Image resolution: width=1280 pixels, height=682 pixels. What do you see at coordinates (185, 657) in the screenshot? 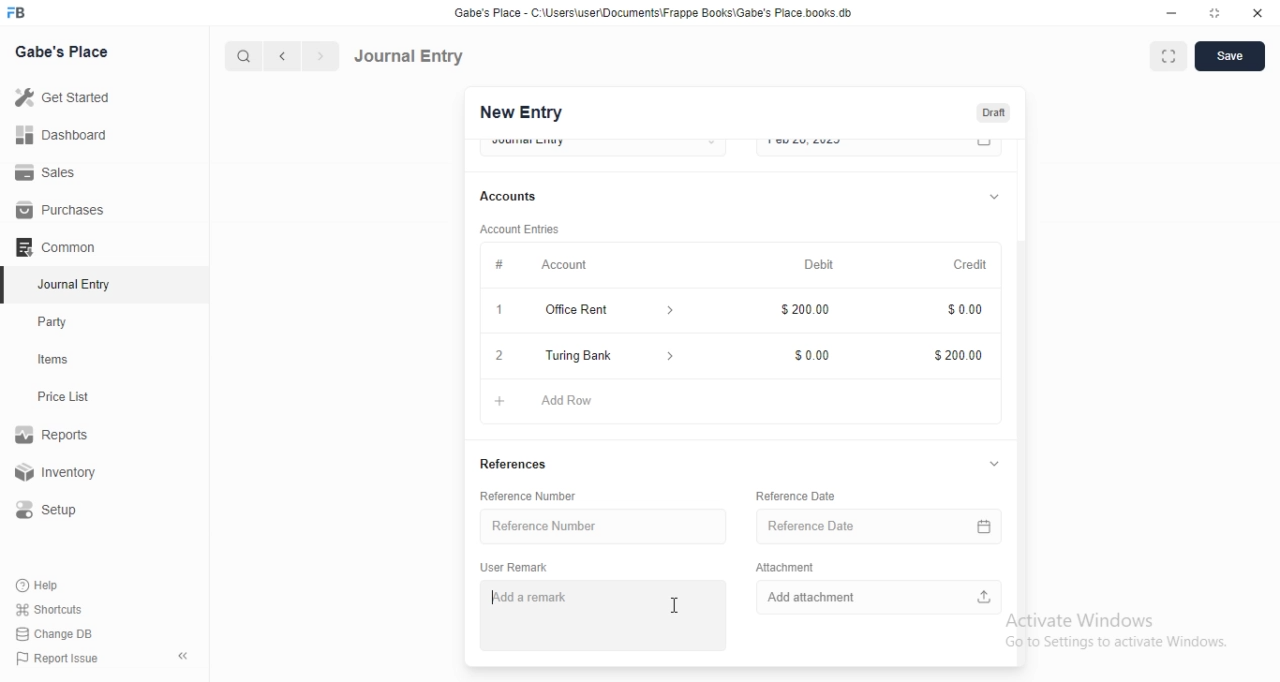
I see `«` at bounding box center [185, 657].